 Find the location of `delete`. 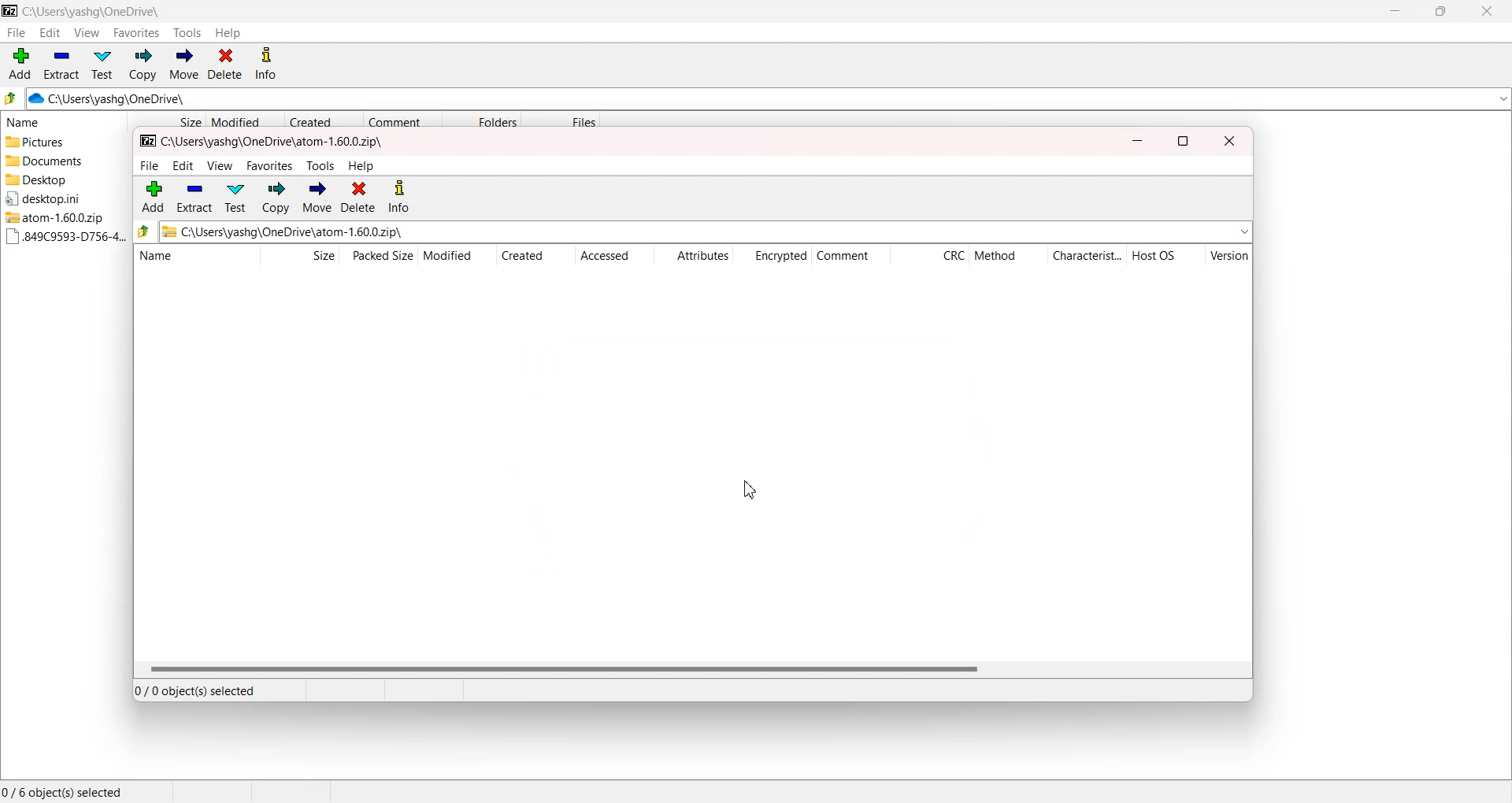

delete is located at coordinates (358, 197).